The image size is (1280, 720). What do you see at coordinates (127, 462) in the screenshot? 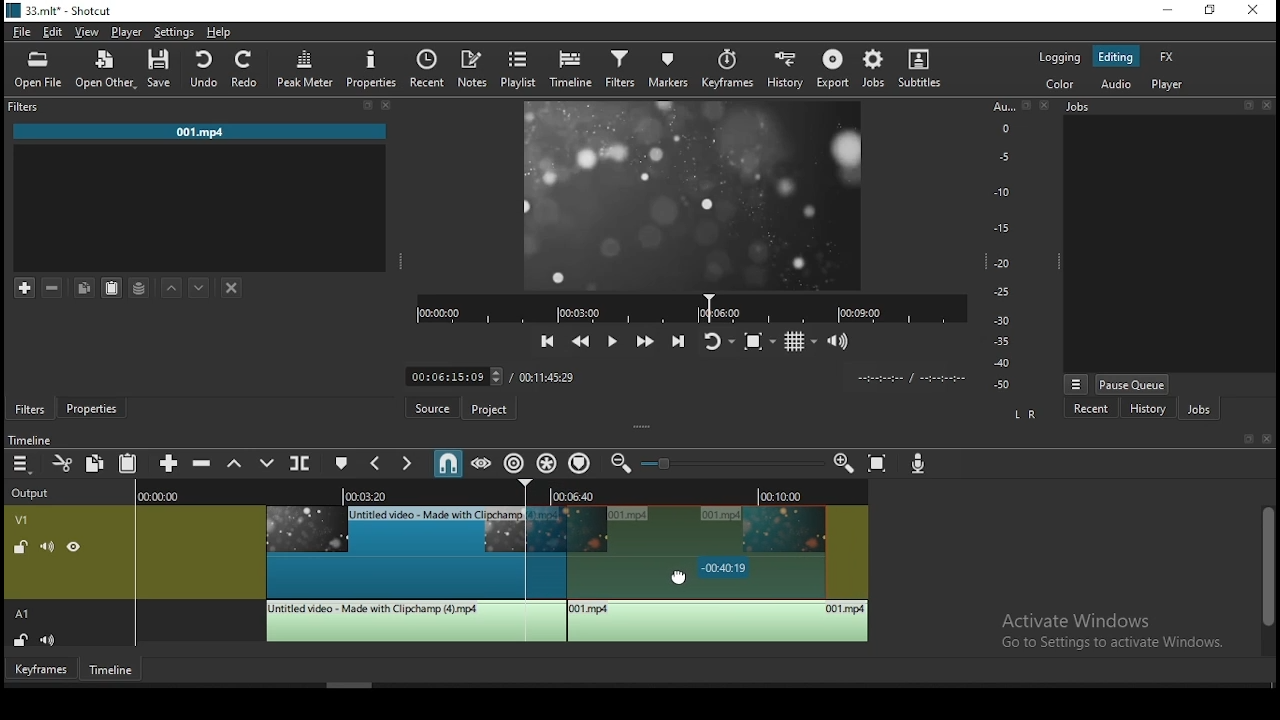
I see `paste` at bounding box center [127, 462].